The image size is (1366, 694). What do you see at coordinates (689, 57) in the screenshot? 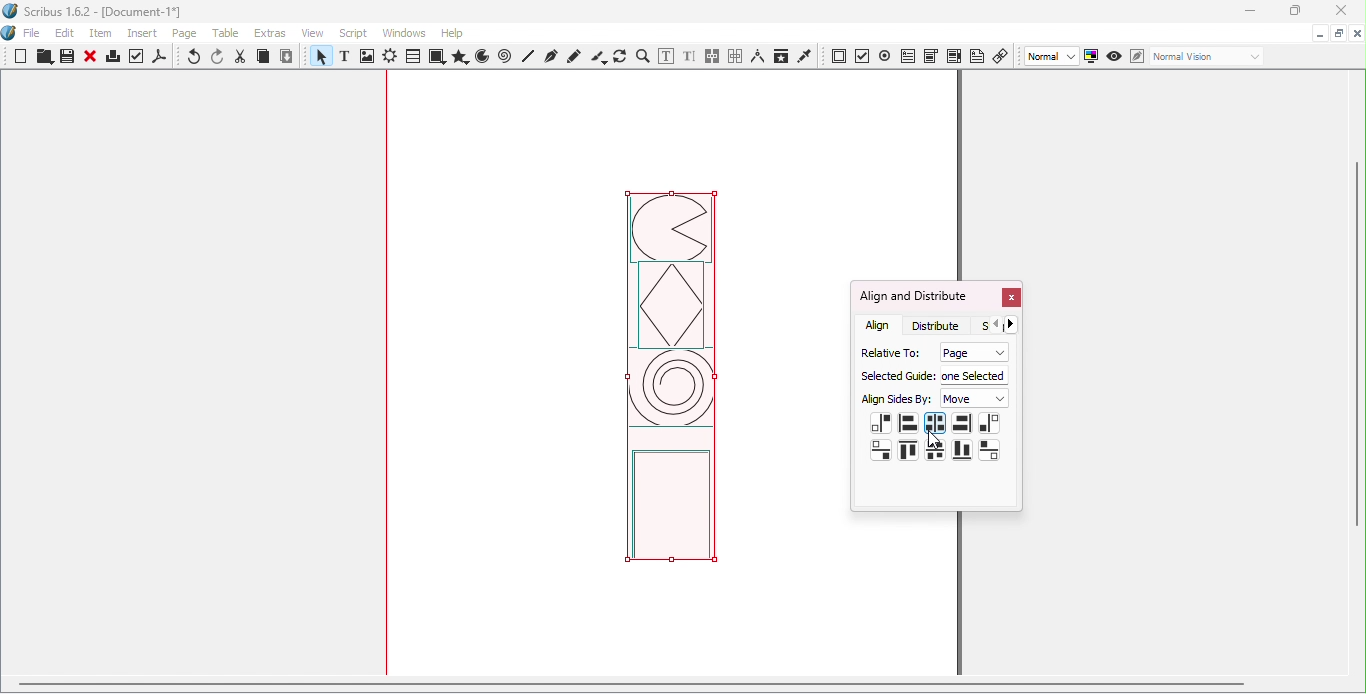
I see `Edit text with story editor` at bounding box center [689, 57].